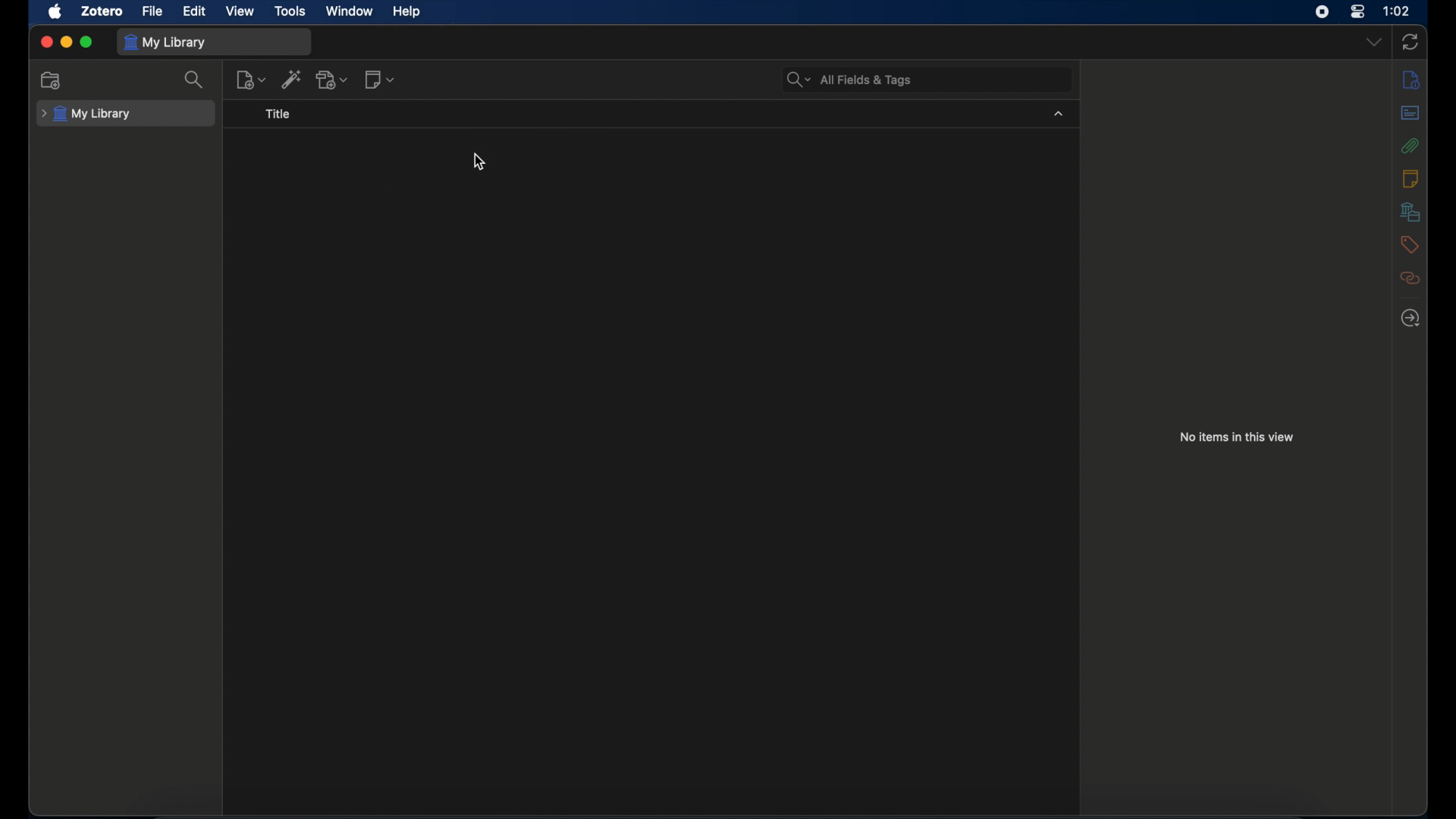 This screenshot has width=1456, height=819. Describe the element at coordinates (481, 162) in the screenshot. I see `cursor` at that location.